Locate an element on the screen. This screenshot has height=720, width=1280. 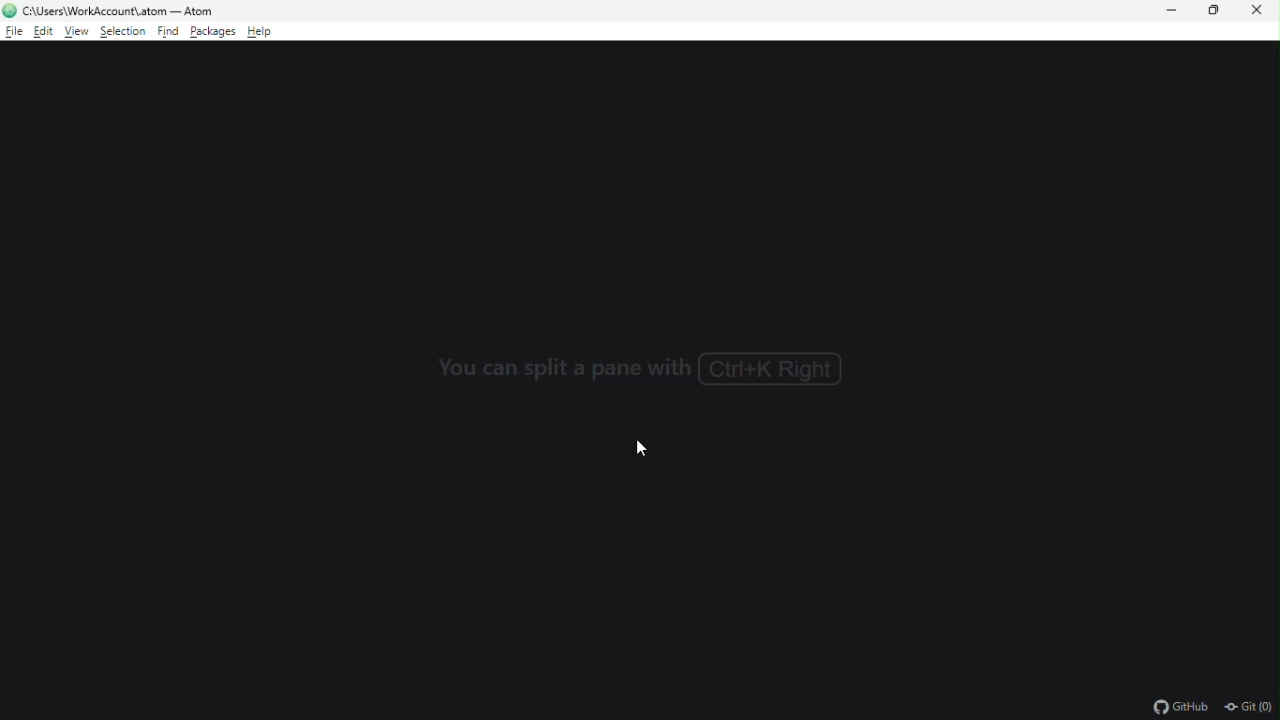
cursor is located at coordinates (647, 448).